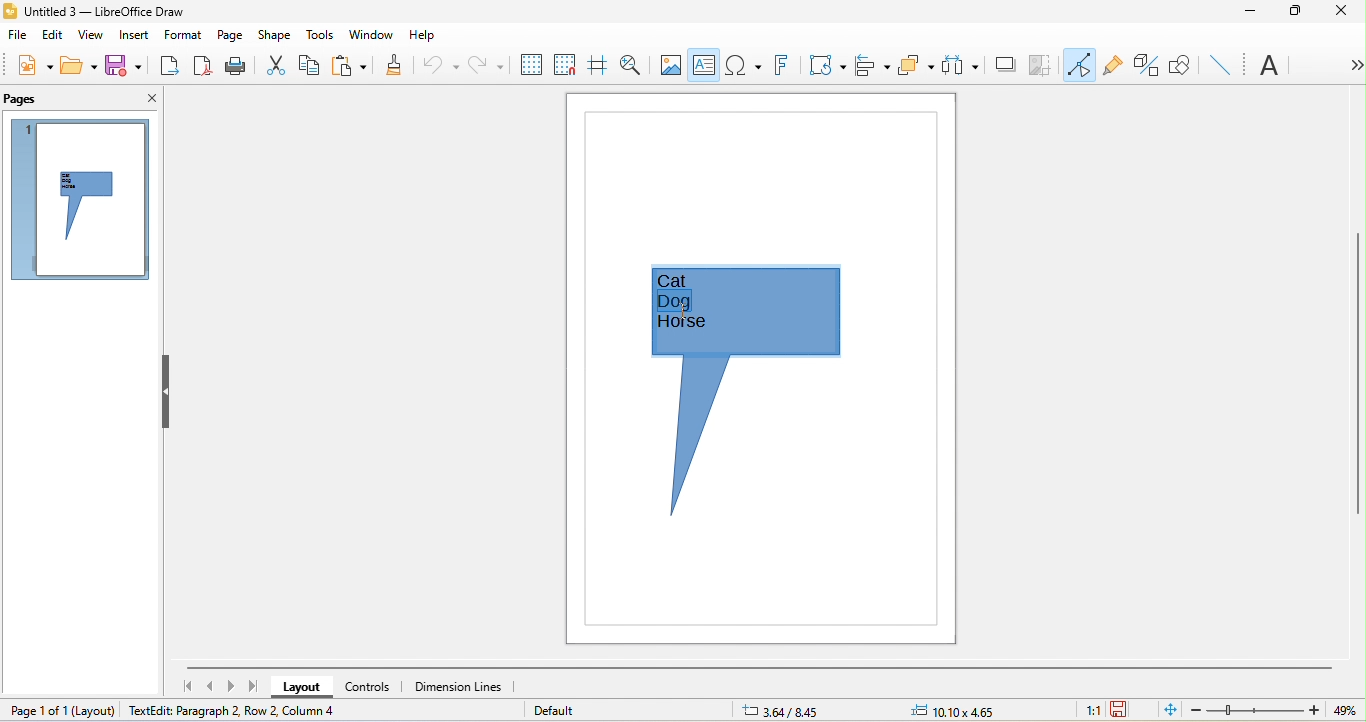 The image size is (1366, 722). I want to click on undo, so click(438, 63).